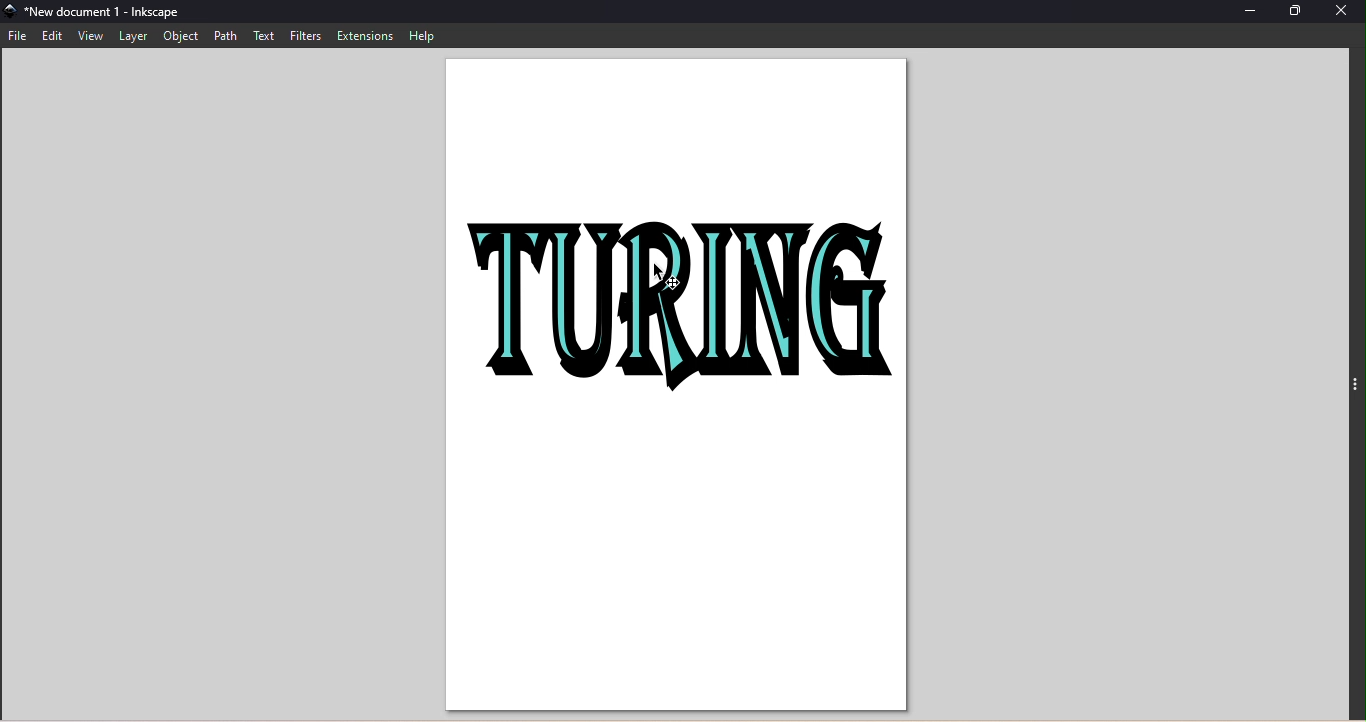  I want to click on Minimize, so click(1251, 11).